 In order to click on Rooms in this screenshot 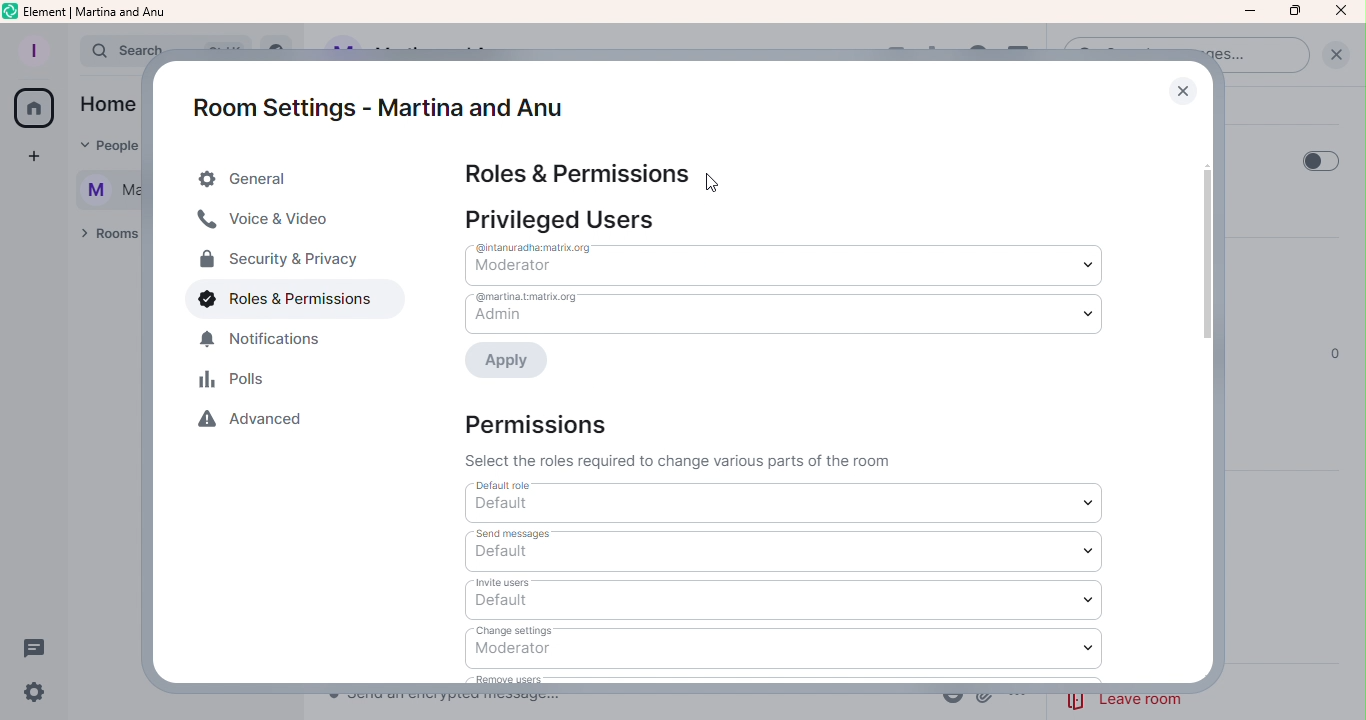, I will do `click(104, 238)`.